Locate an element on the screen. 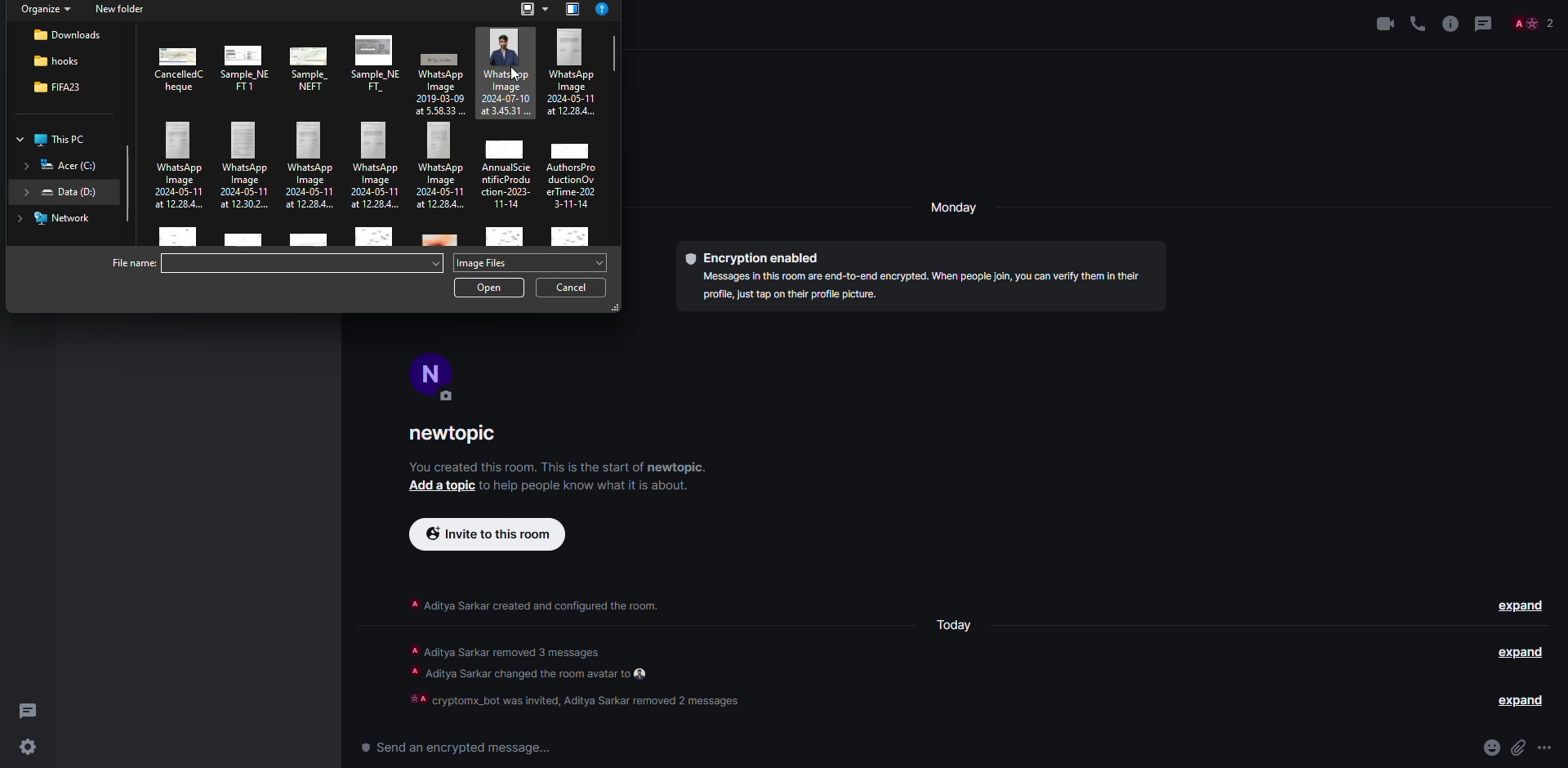 This screenshot has width=1568, height=768. cursor is located at coordinates (511, 80).